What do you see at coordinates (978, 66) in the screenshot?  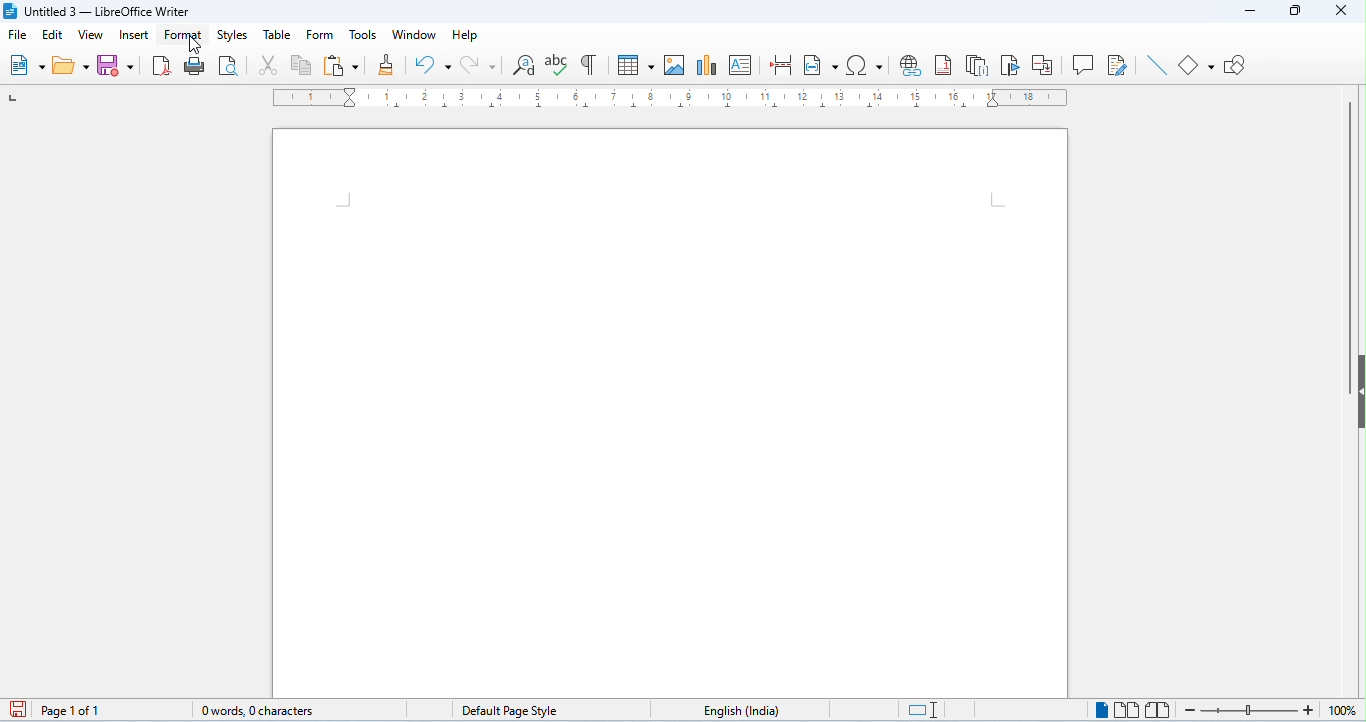 I see `insert and note` at bounding box center [978, 66].